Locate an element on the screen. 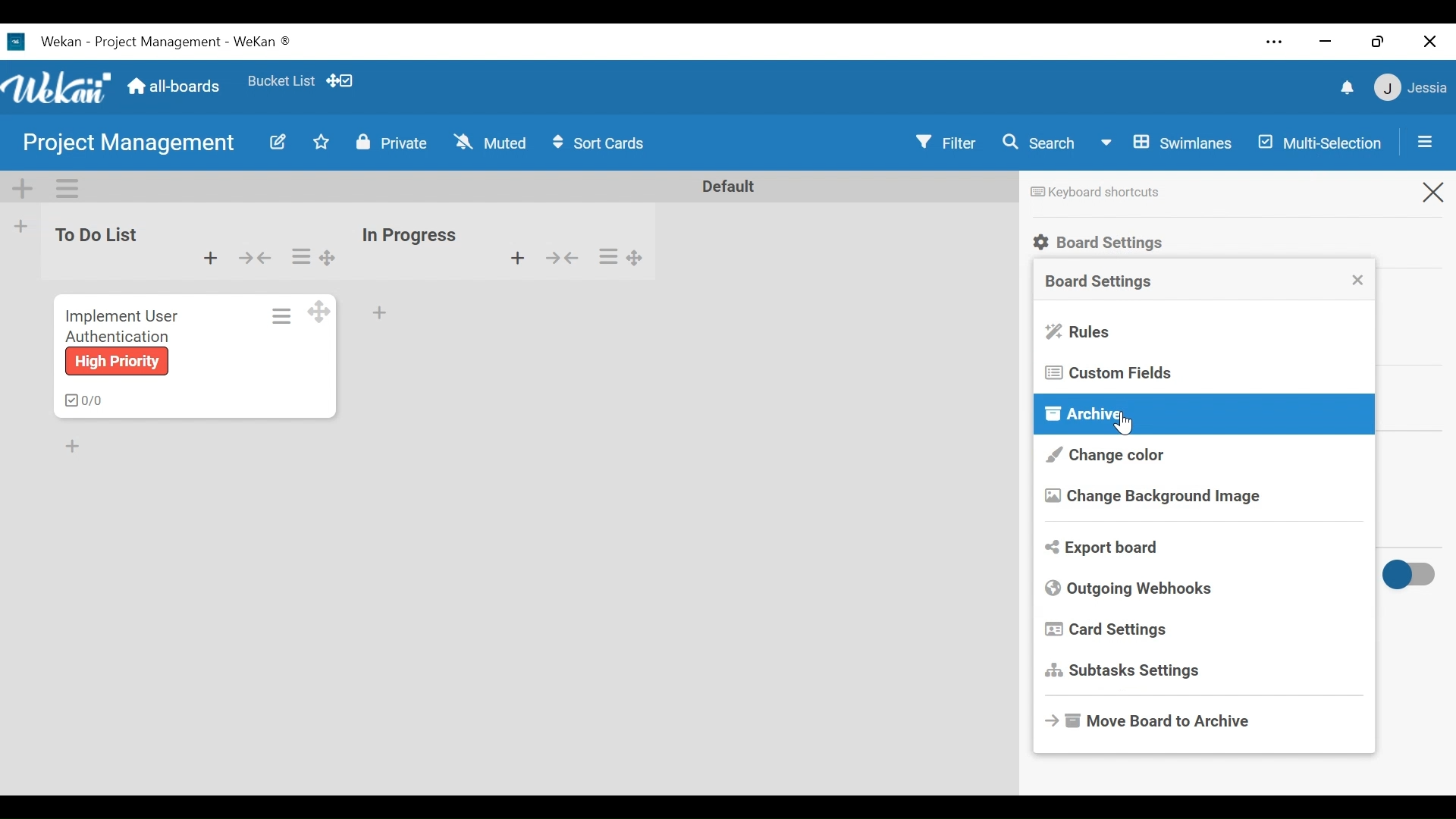 This screenshot has width=1456, height=819. List Name is located at coordinates (93, 234).